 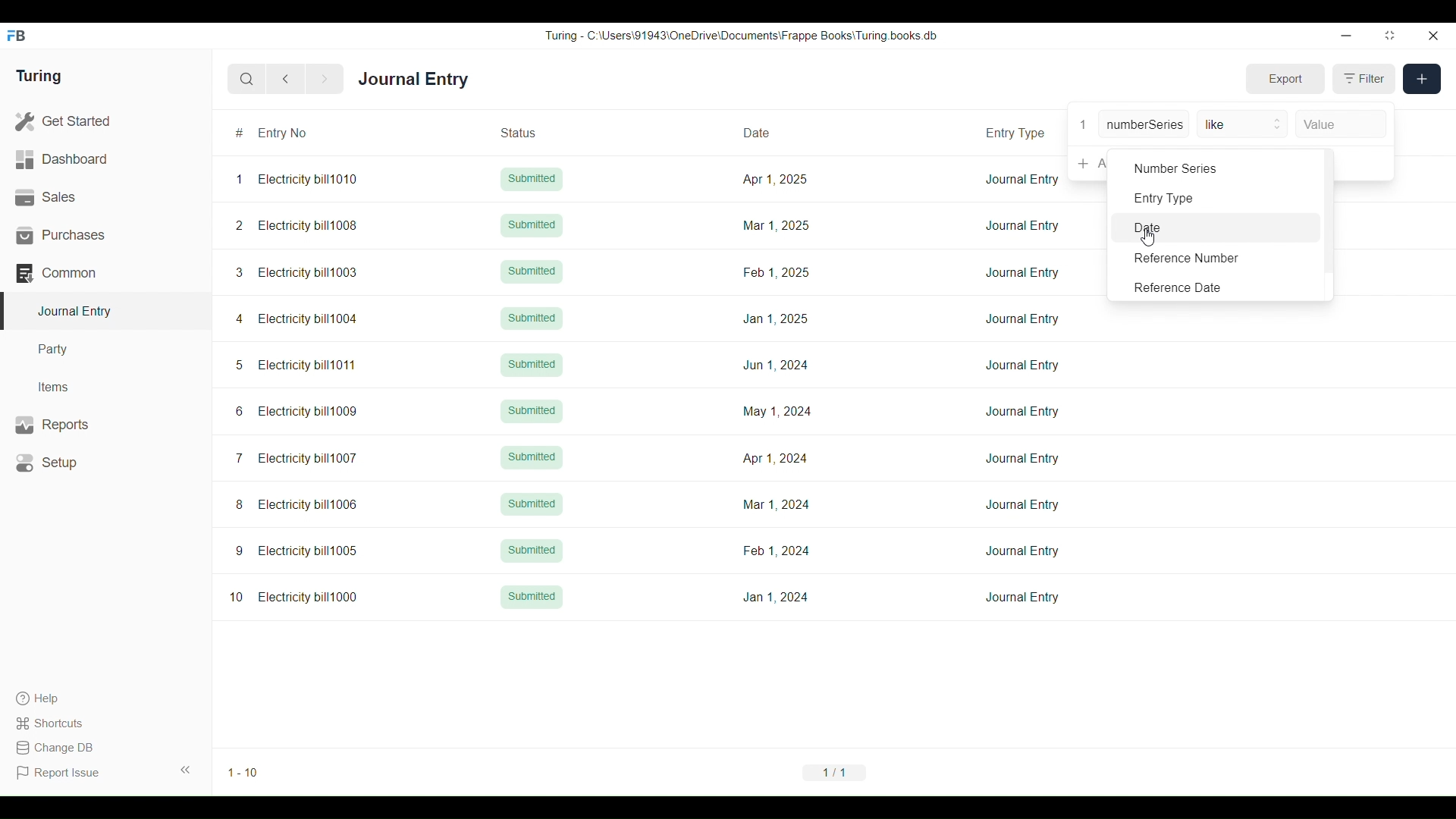 I want to click on Items, so click(x=106, y=388).